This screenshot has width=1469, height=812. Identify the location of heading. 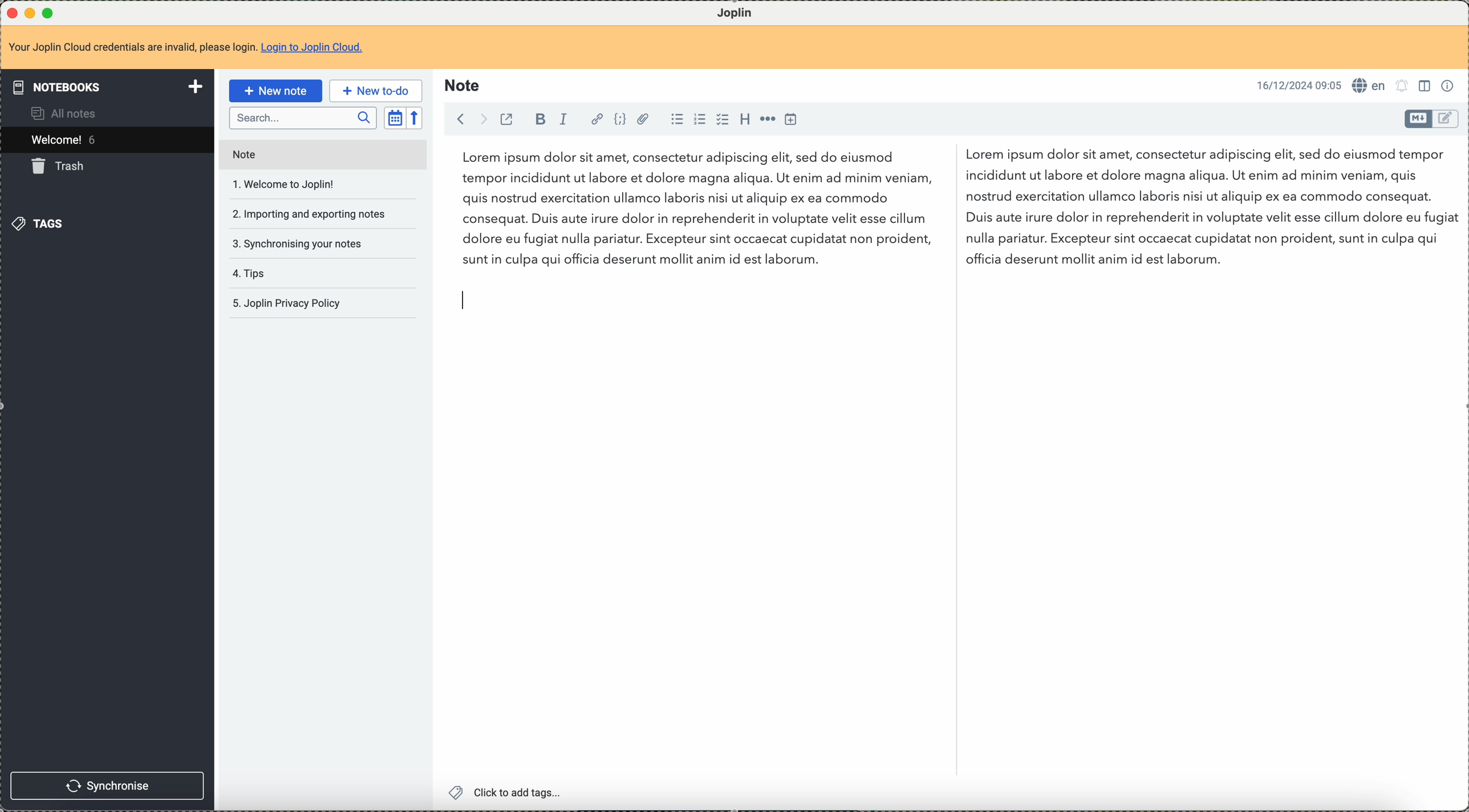
(745, 121).